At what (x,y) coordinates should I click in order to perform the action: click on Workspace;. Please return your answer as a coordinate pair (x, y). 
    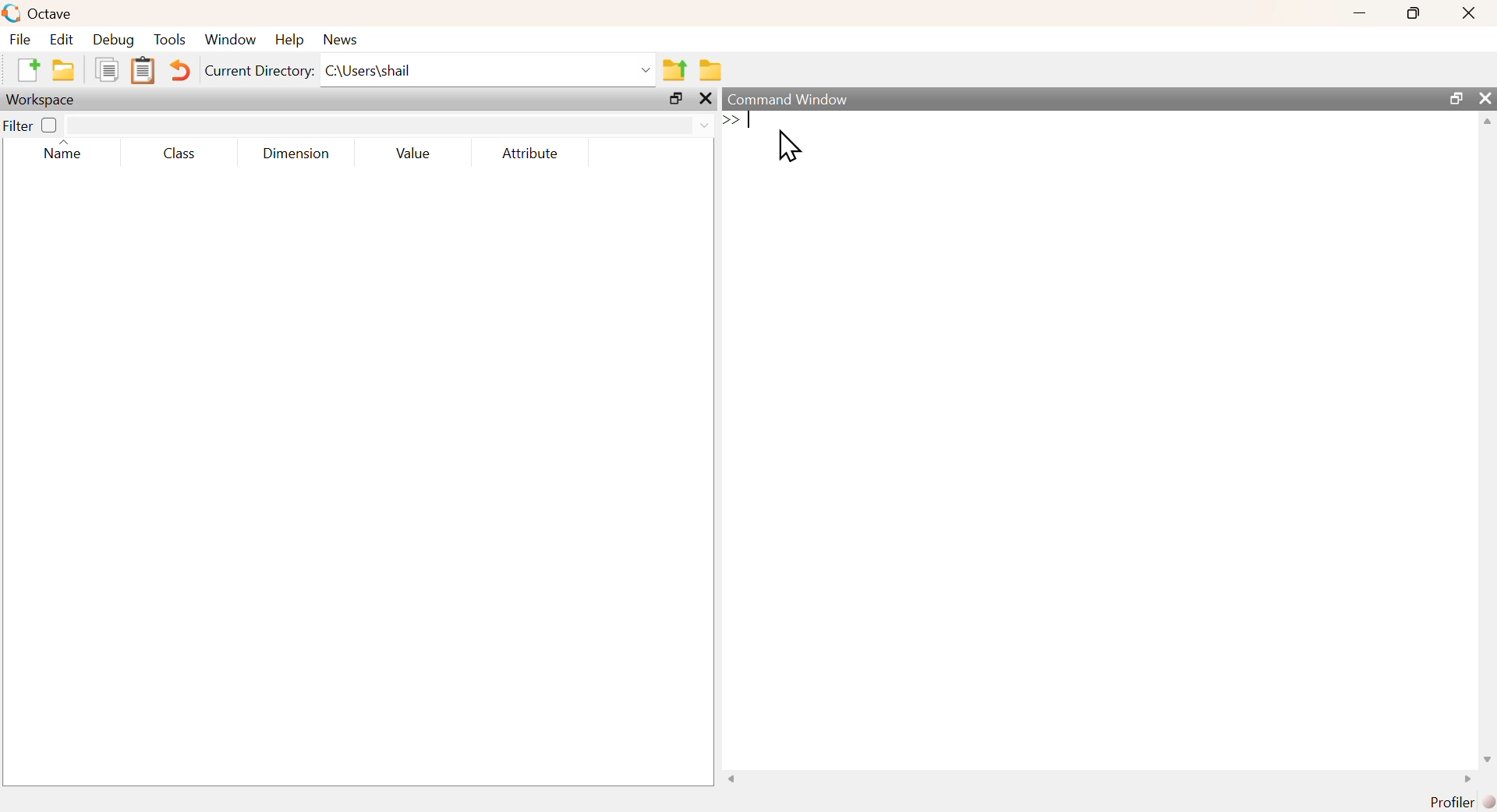
    Looking at the image, I should click on (41, 100).